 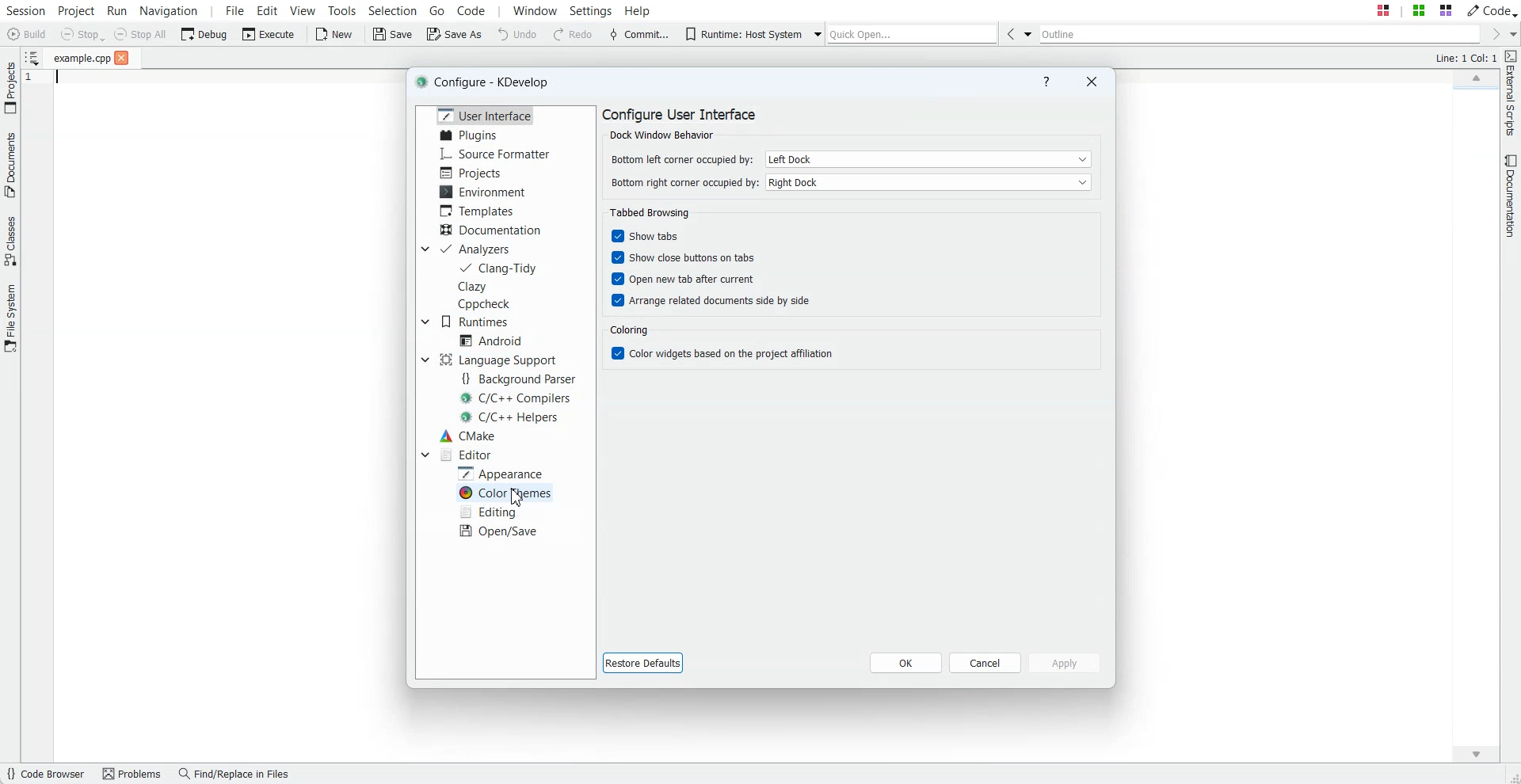 What do you see at coordinates (425, 454) in the screenshot?
I see `Drop Down box` at bounding box center [425, 454].